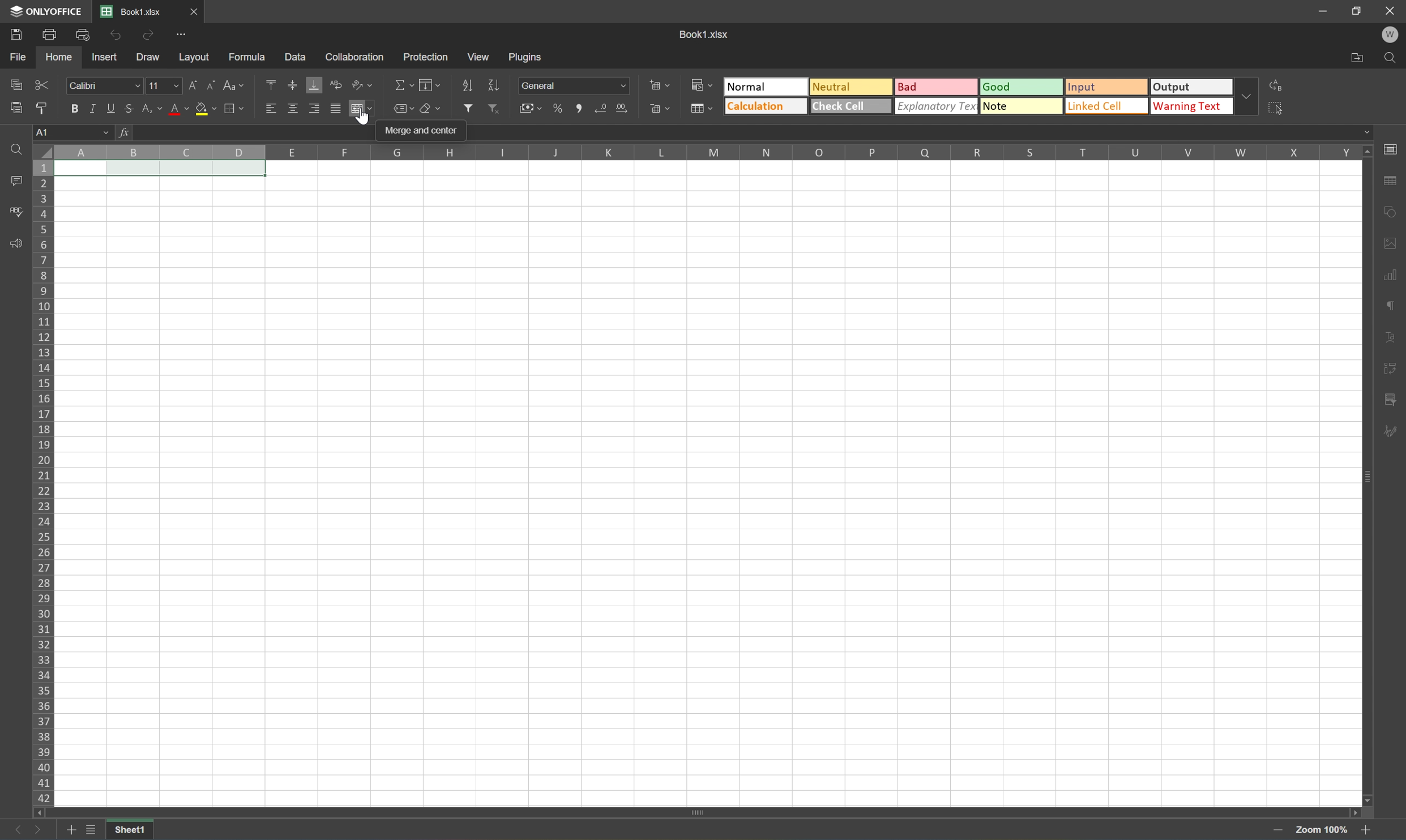 This screenshot has width=1406, height=840. I want to click on Bold, so click(73, 107).